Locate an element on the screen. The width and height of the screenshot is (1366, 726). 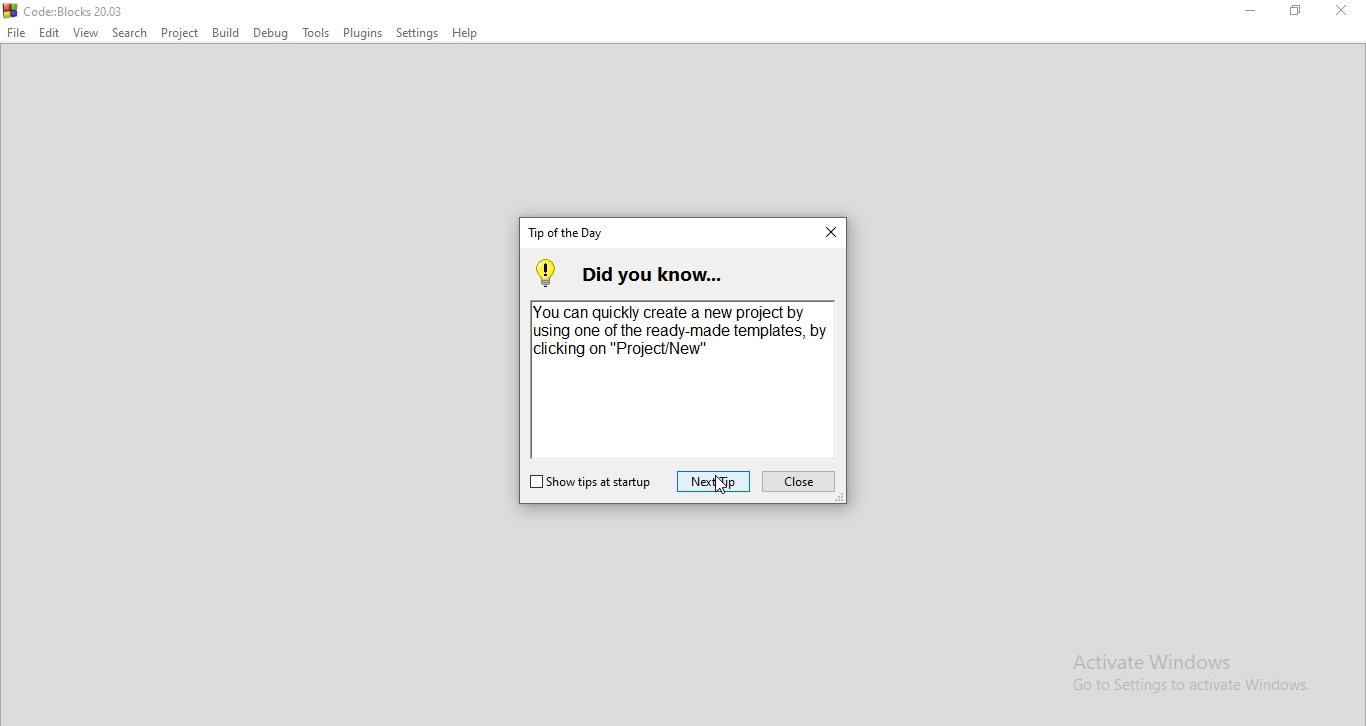
show tips at startup is located at coordinates (589, 483).